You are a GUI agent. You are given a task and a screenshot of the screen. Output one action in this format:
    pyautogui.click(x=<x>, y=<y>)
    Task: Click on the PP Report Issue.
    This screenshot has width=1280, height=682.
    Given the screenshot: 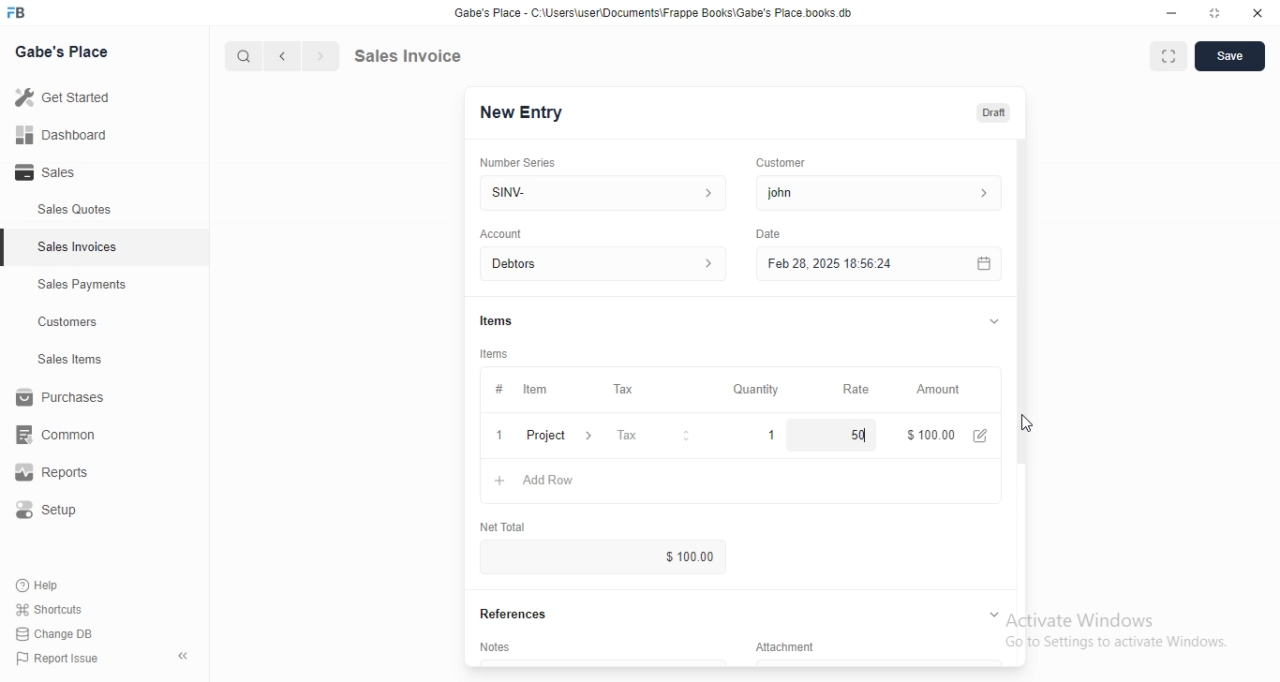 What is the action you would take?
    pyautogui.click(x=64, y=662)
    